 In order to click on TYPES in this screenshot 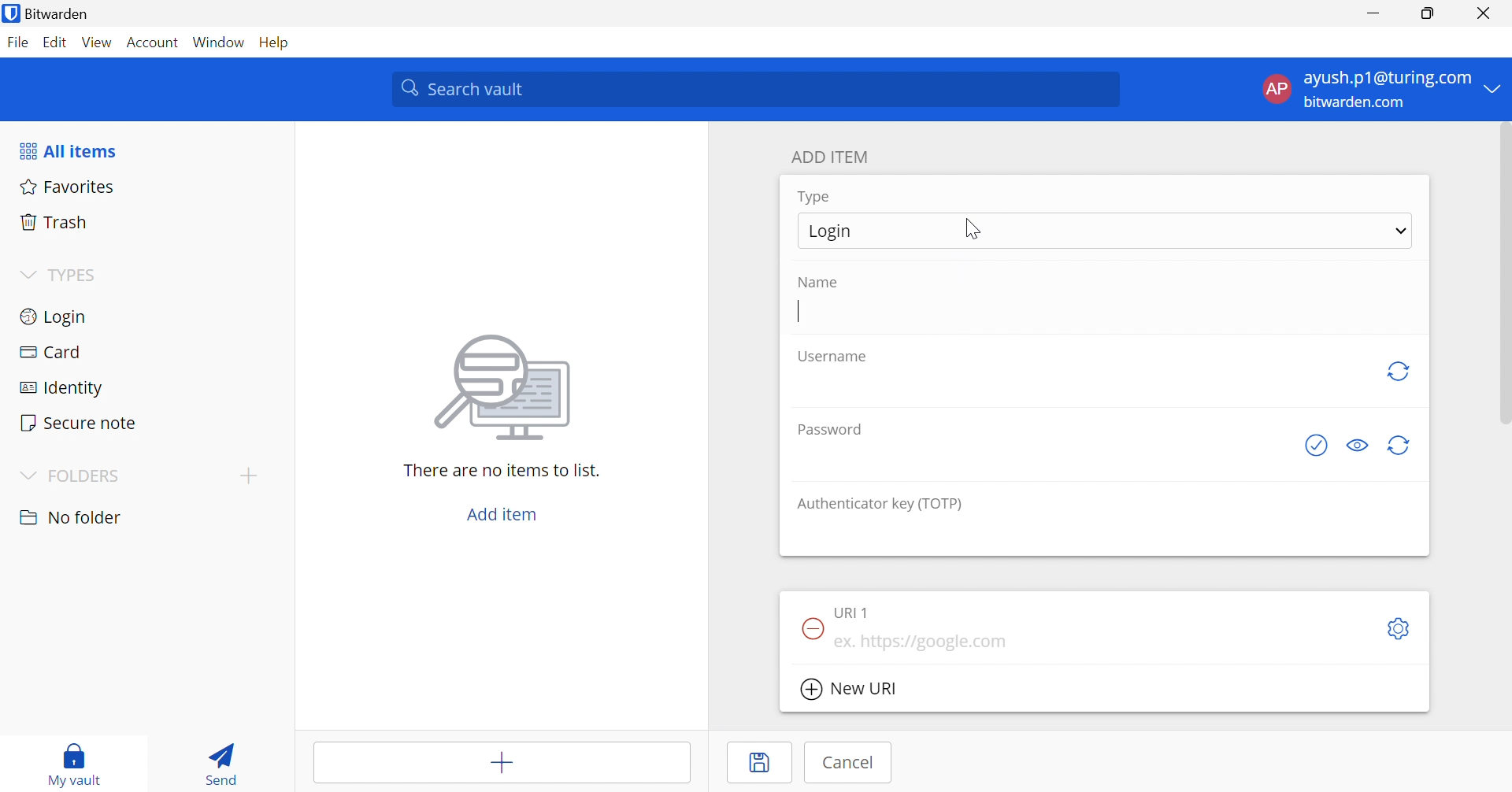, I will do `click(63, 273)`.